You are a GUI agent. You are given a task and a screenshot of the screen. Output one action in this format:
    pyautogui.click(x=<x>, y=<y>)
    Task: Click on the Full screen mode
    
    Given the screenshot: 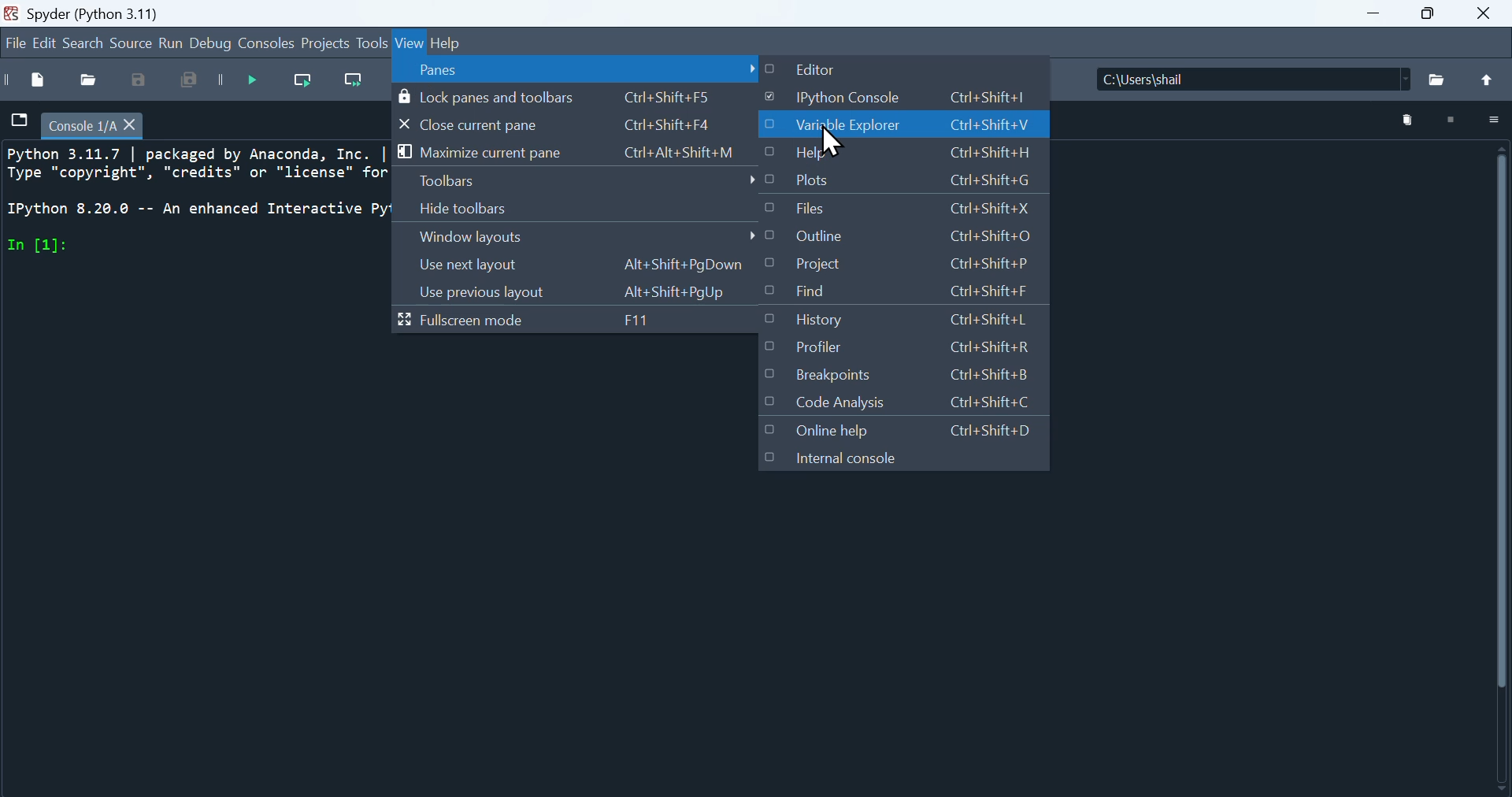 What is the action you would take?
    pyautogui.click(x=550, y=317)
    